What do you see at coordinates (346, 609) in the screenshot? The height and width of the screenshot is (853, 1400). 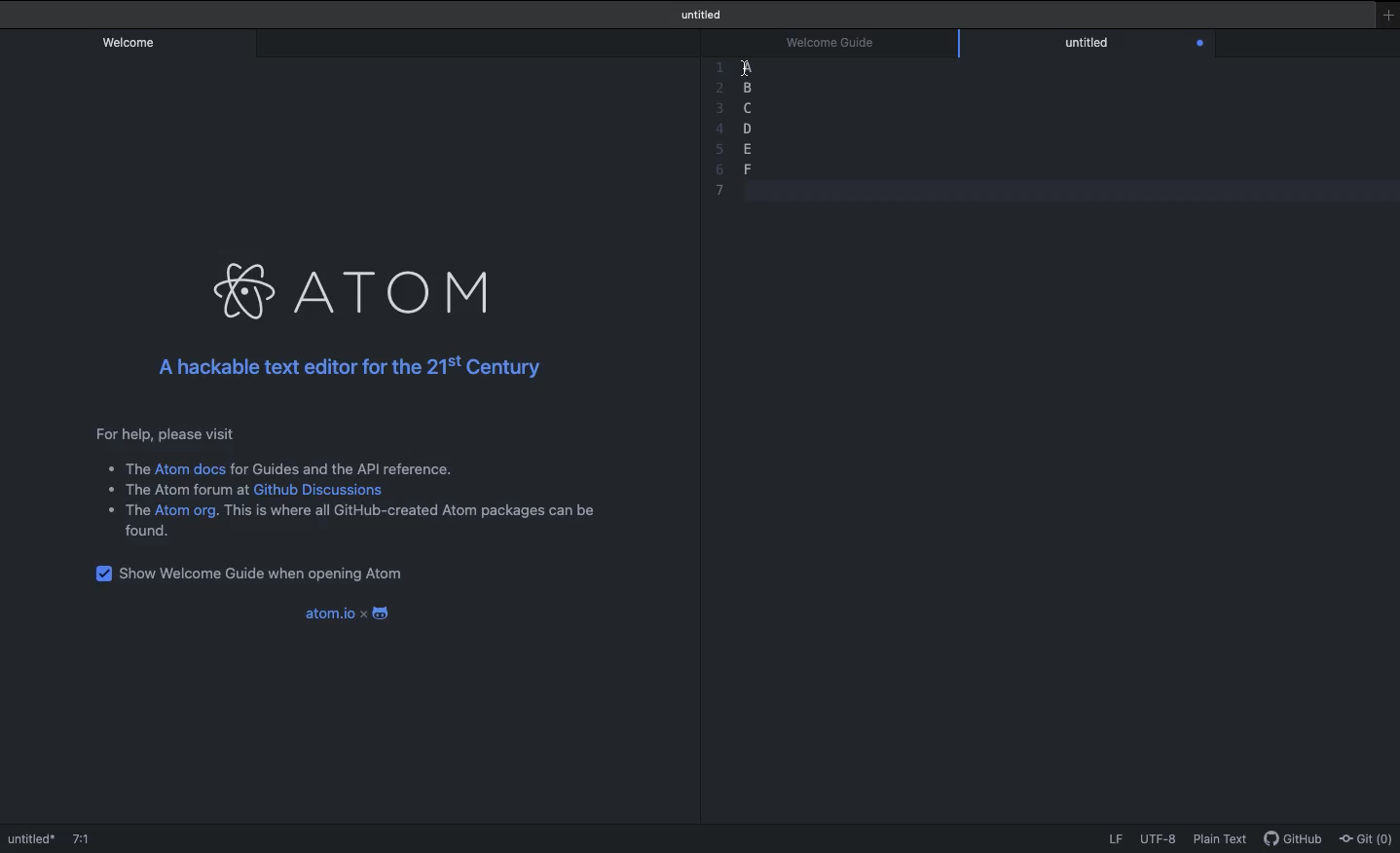 I see `Atom.io x android ` at bounding box center [346, 609].